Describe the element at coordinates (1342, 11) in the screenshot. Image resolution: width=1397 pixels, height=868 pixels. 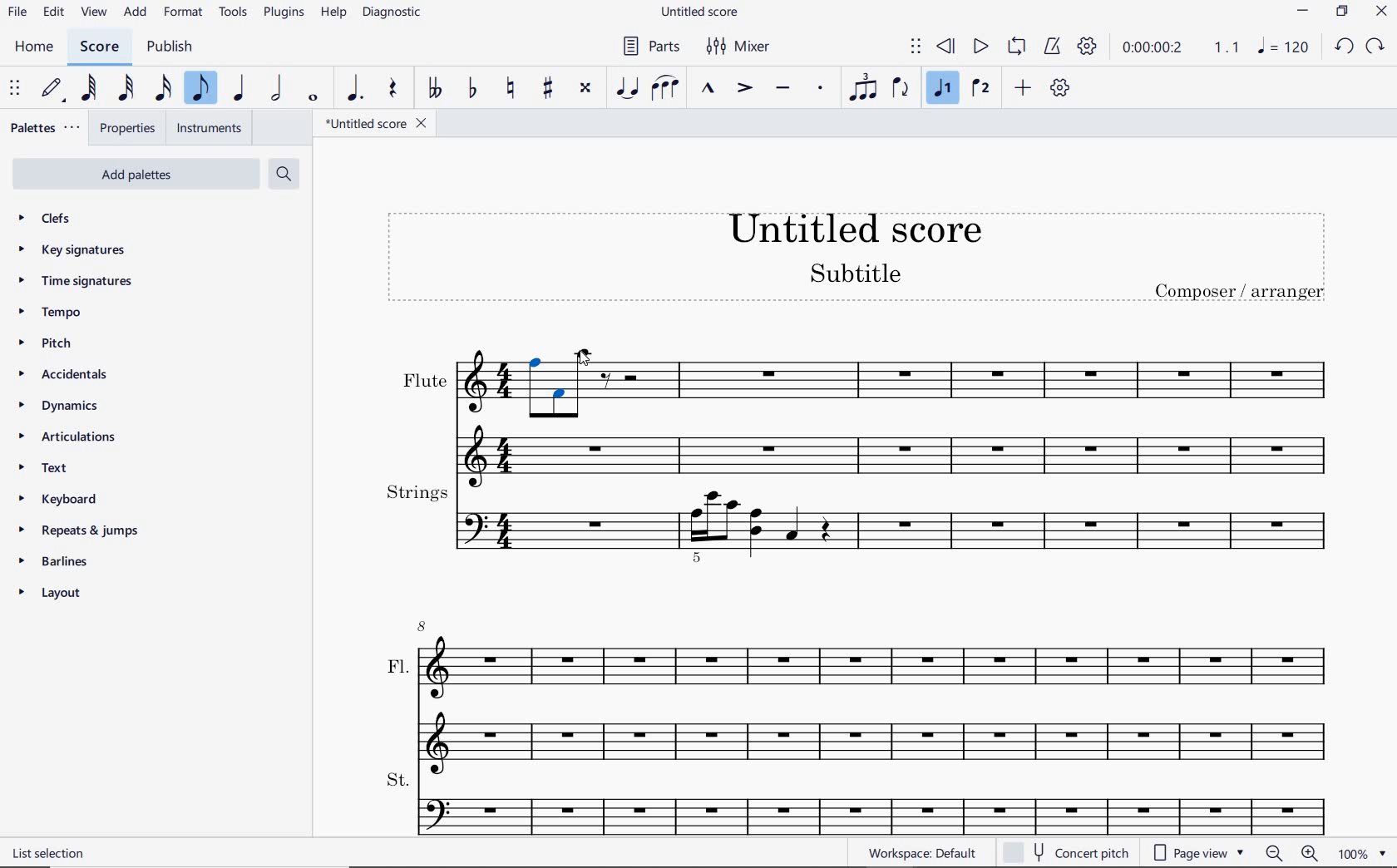
I see `restore down` at that location.